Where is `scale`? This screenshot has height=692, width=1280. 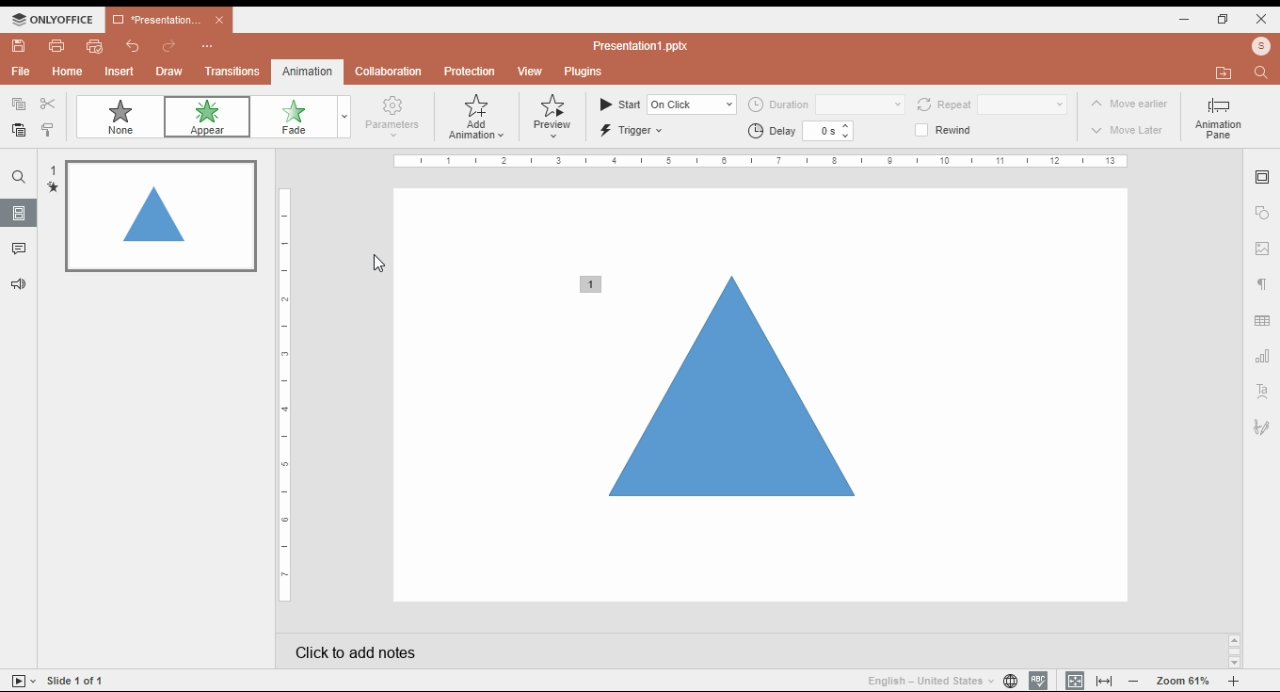
scale is located at coordinates (761, 162).